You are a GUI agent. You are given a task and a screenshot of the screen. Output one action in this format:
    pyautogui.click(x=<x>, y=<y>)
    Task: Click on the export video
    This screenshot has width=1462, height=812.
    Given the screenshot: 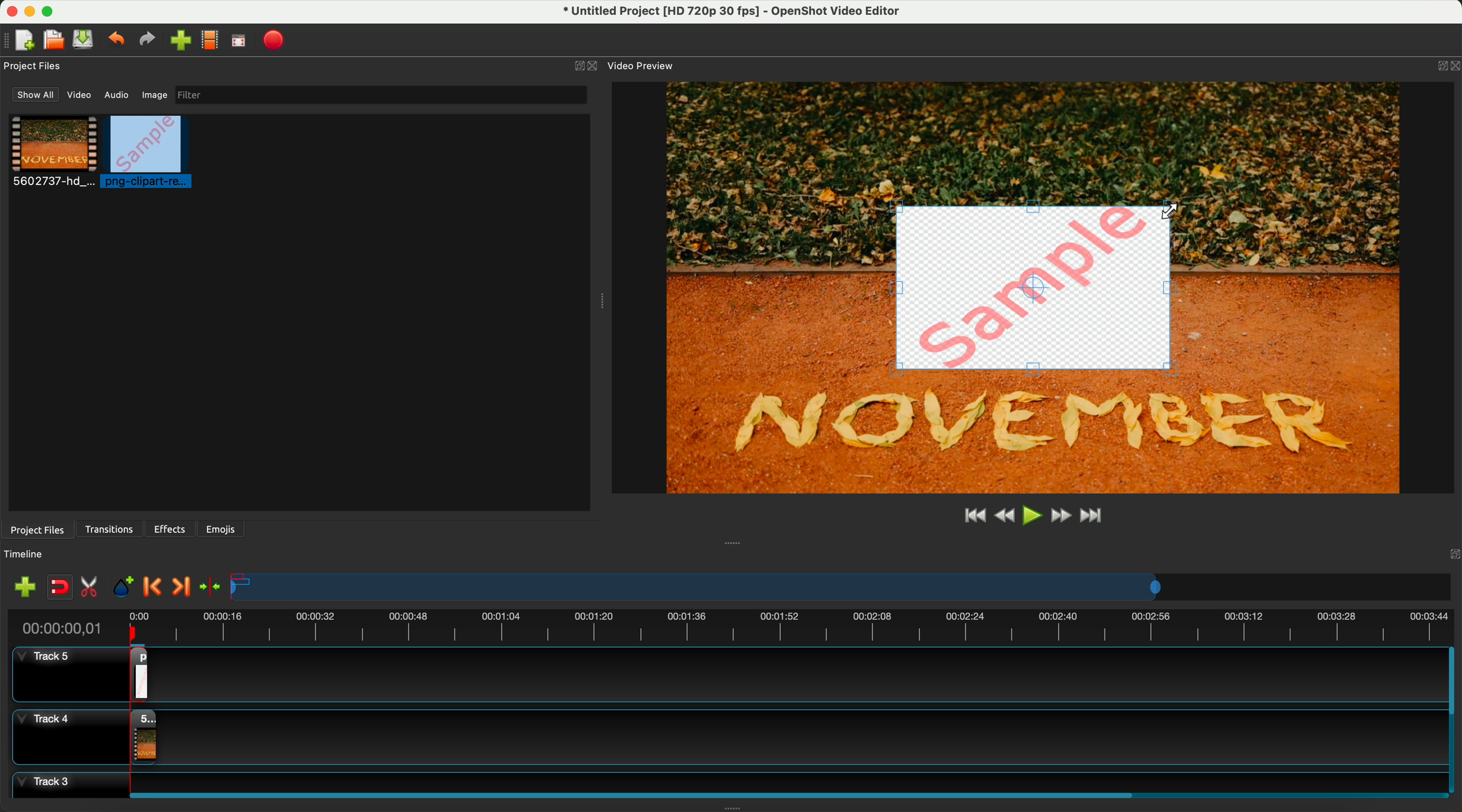 What is the action you would take?
    pyautogui.click(x=278, y=40)
    